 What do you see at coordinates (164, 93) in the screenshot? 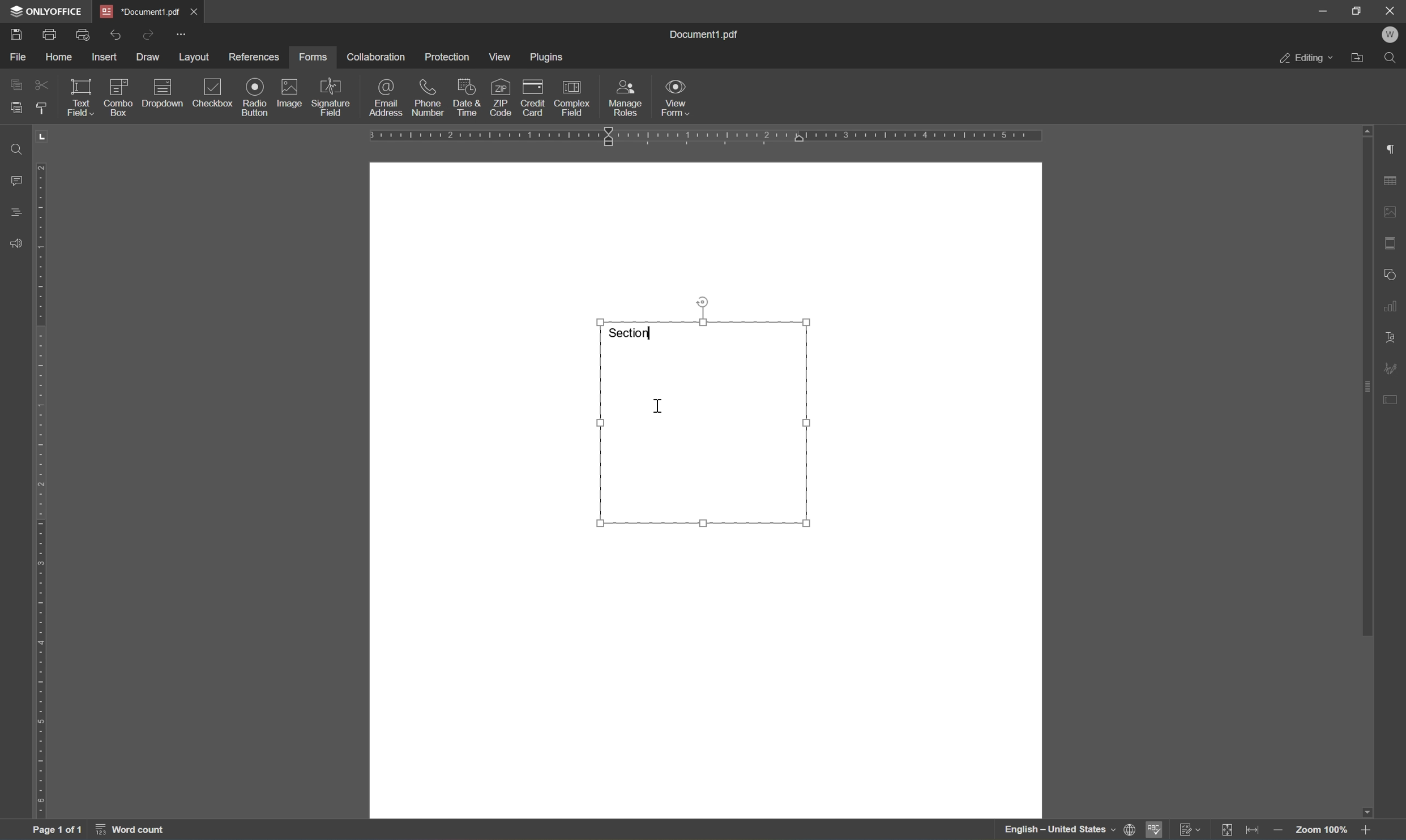
I see `dropdown` at bounding box center [164, 93].